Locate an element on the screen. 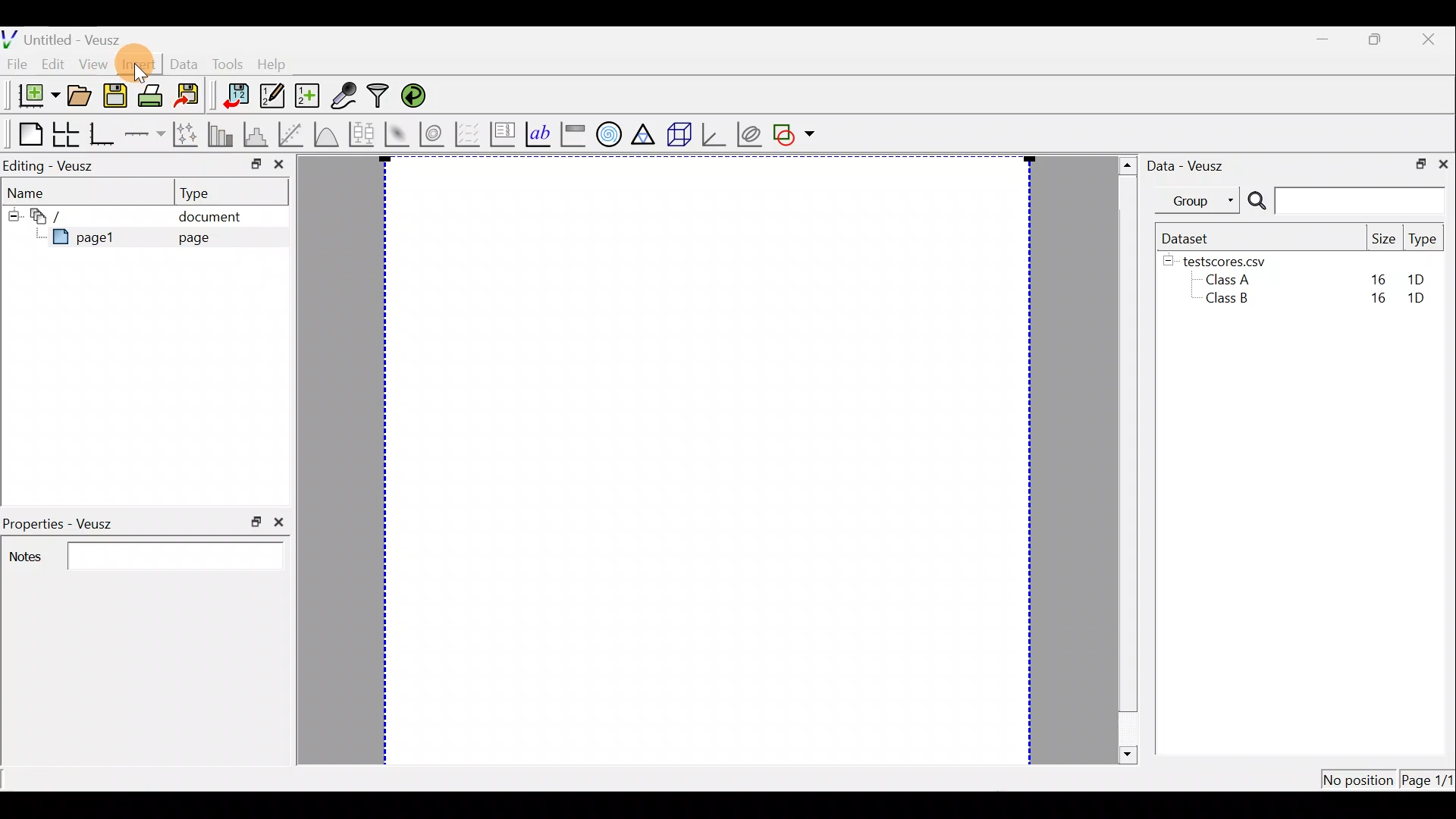  Plot a 2d dataset as an image is located at coordinates (396, 132).